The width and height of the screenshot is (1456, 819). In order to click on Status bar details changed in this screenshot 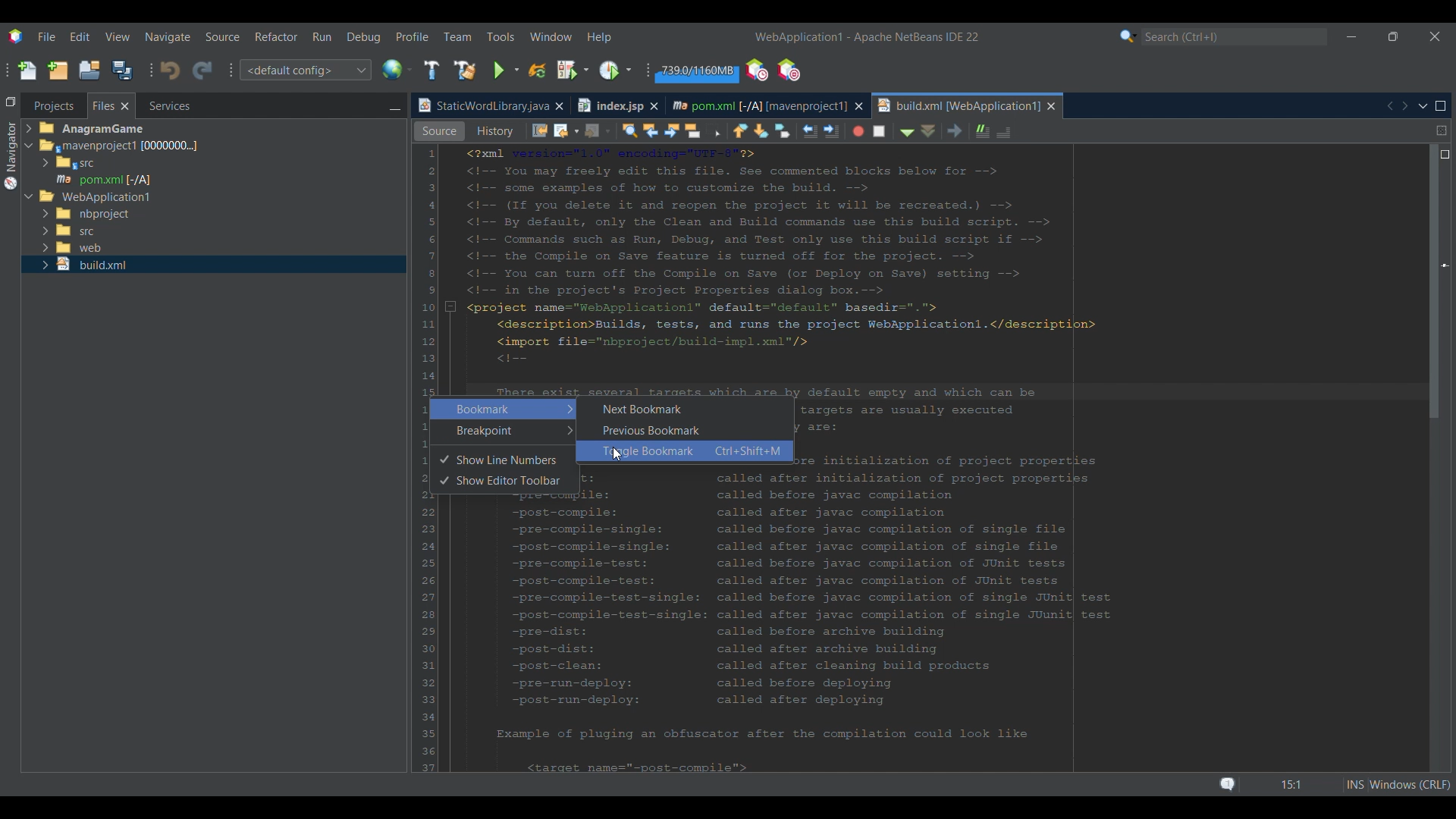, I will do `click(1334, 784)`.